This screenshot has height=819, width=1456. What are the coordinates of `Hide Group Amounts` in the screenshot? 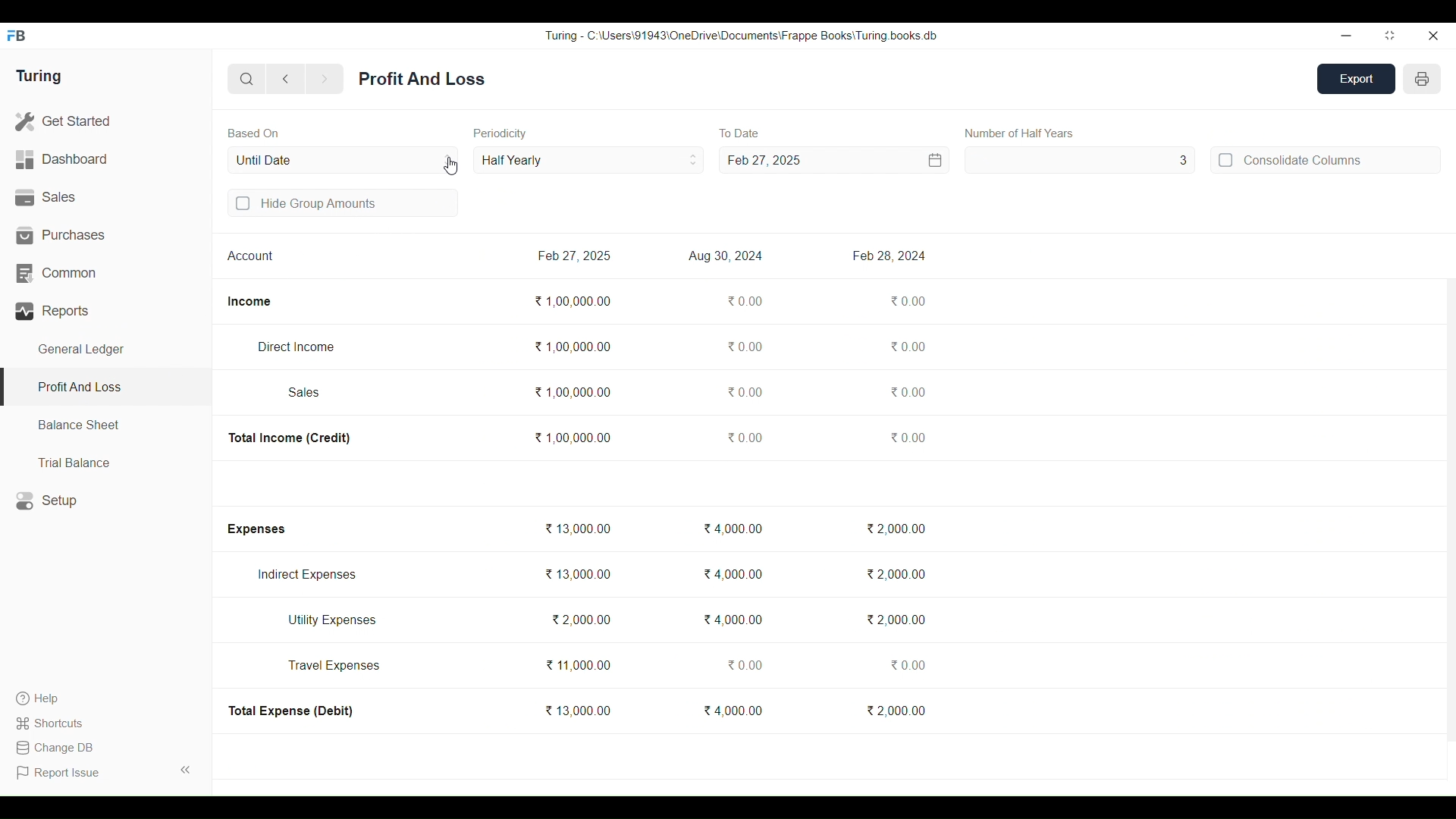 It's located at (344, 202).